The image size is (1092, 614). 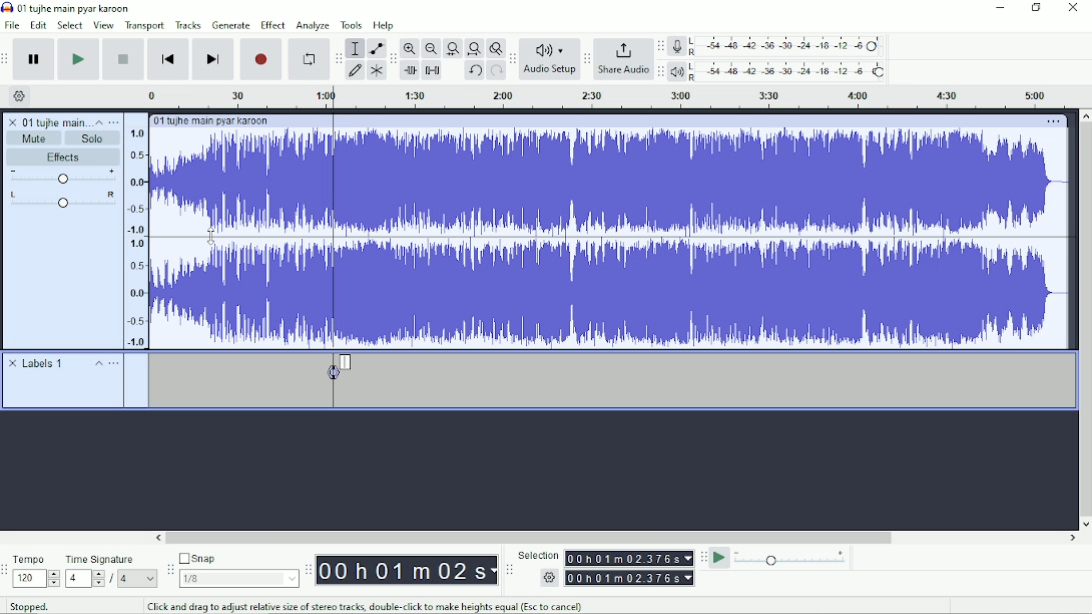 I want to click on Enable looping, so click(x=309, y=58).